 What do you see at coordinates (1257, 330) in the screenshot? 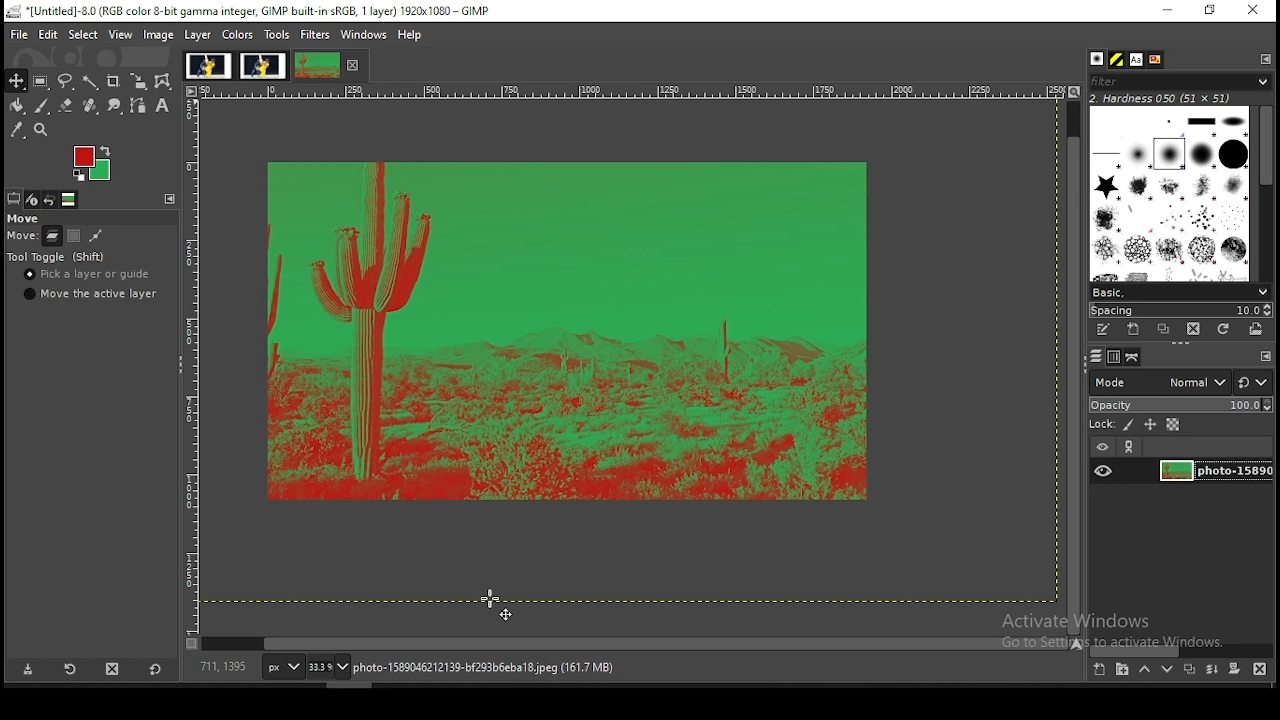
I see `open brush as image` at bounding box center [1257, 330].